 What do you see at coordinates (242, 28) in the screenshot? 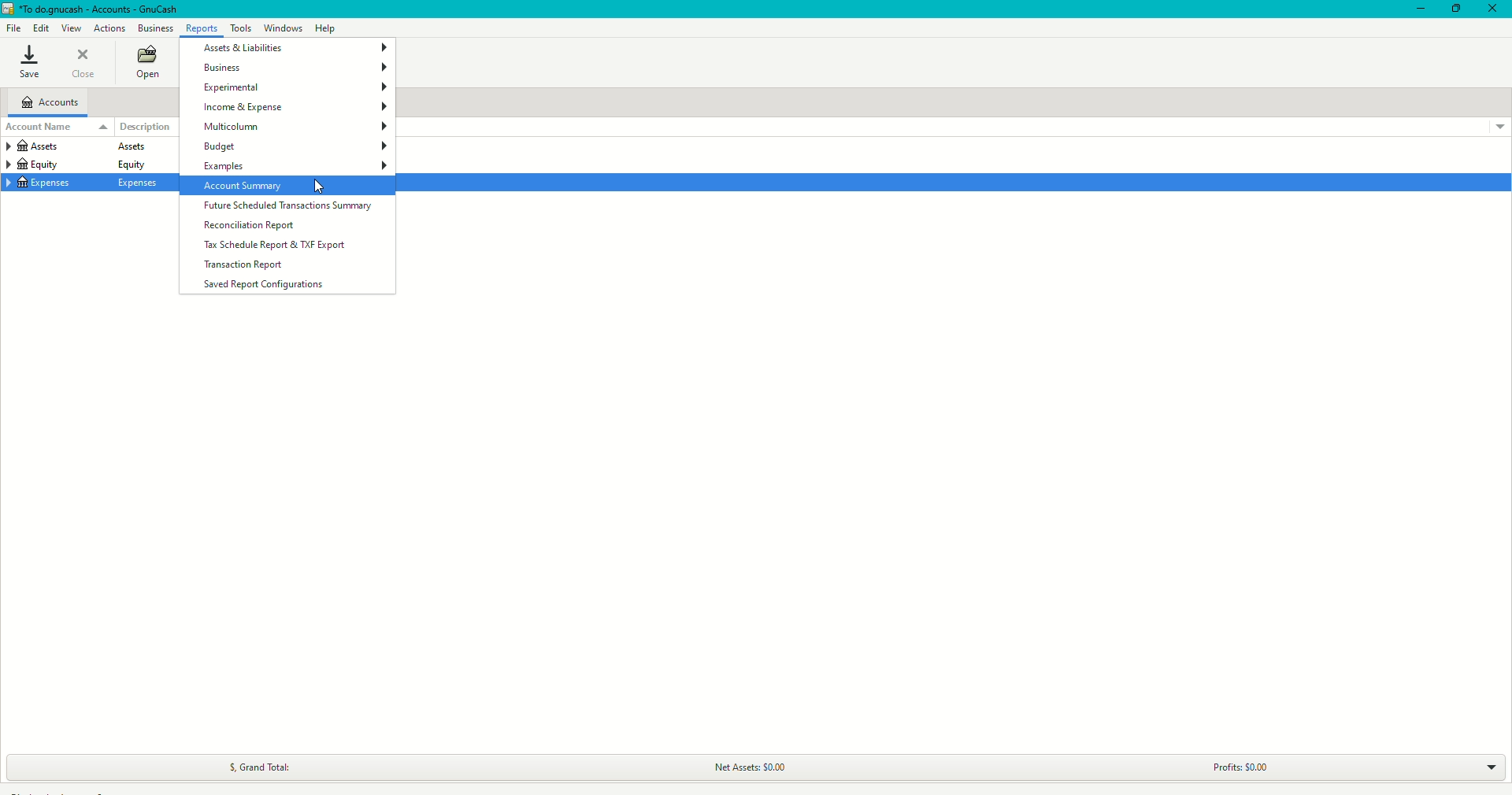
I see `Tools` at bounding box center [242, 28].